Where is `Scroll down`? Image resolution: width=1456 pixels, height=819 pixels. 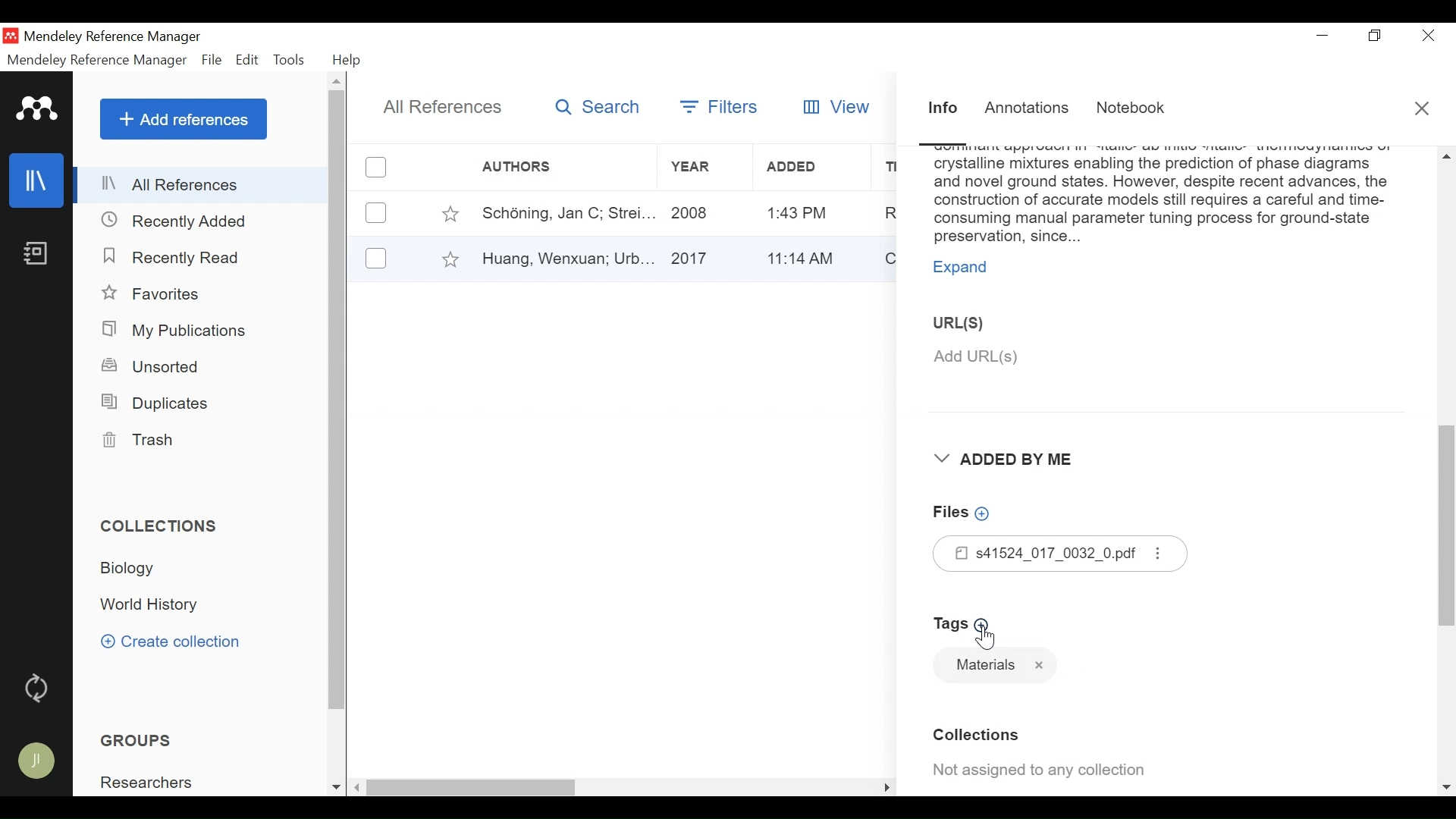 Scroll down is located at coordinates (1447, 789).